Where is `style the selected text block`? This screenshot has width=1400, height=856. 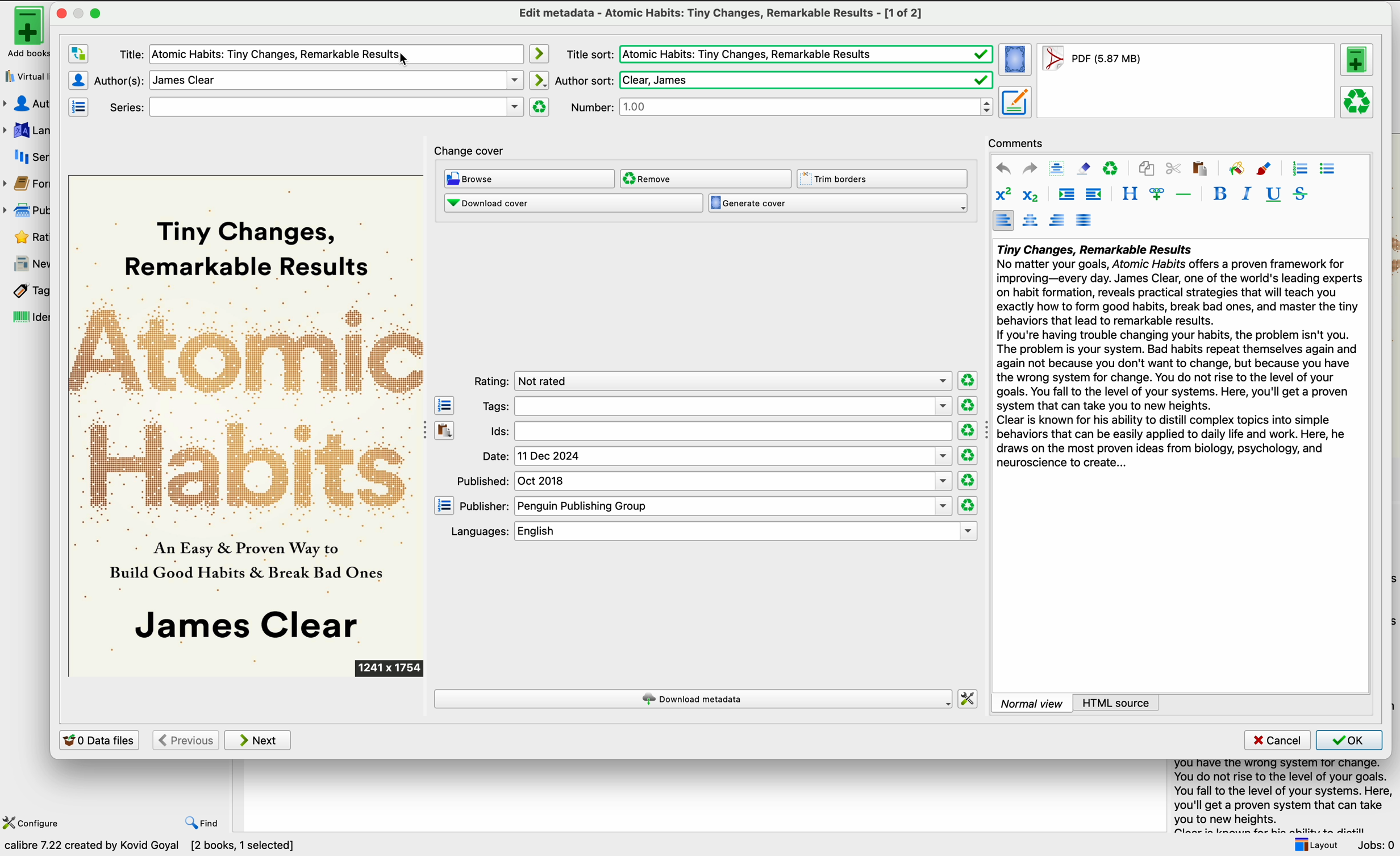 style the selected text block is located at coordinates (1129, 194).